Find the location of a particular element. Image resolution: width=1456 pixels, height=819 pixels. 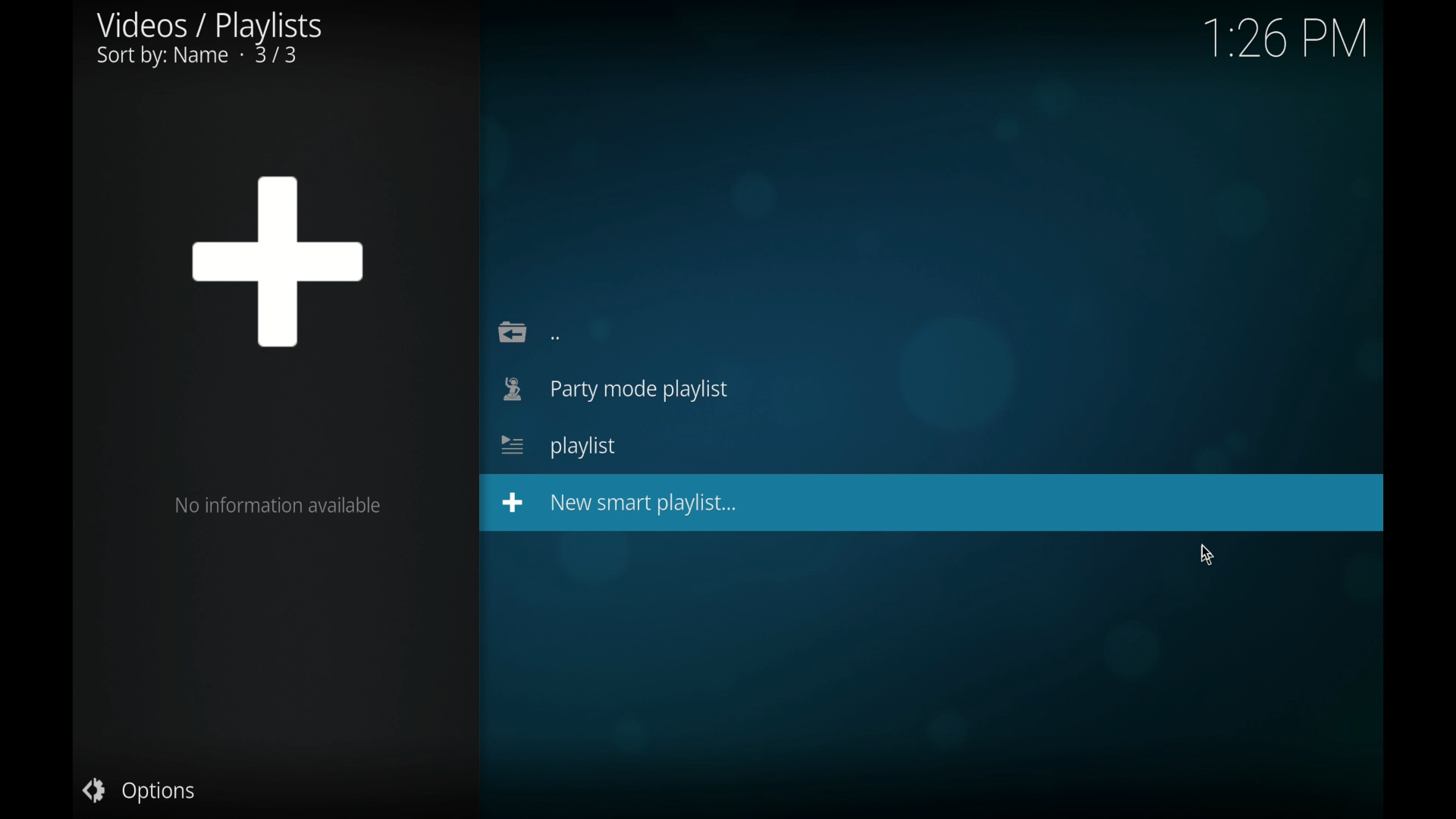

new smart playlist is located at coordinates (620, 445).